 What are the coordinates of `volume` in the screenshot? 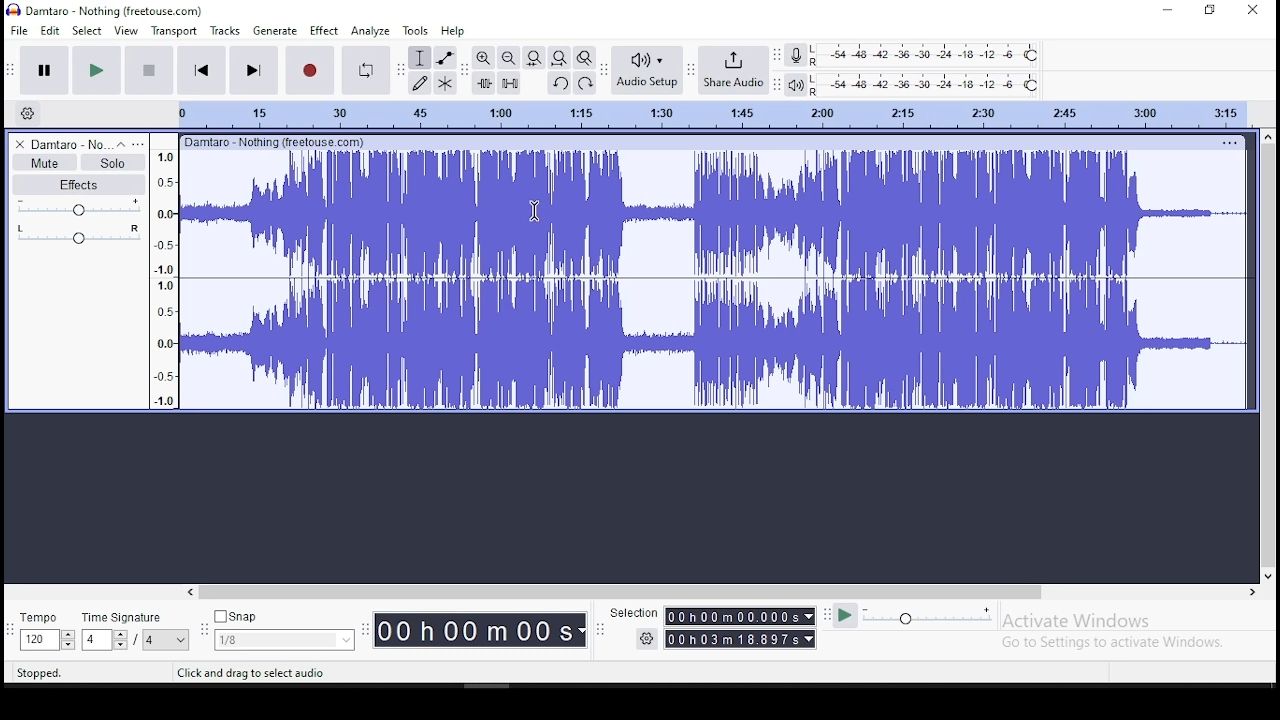 It's located at (77, 208).